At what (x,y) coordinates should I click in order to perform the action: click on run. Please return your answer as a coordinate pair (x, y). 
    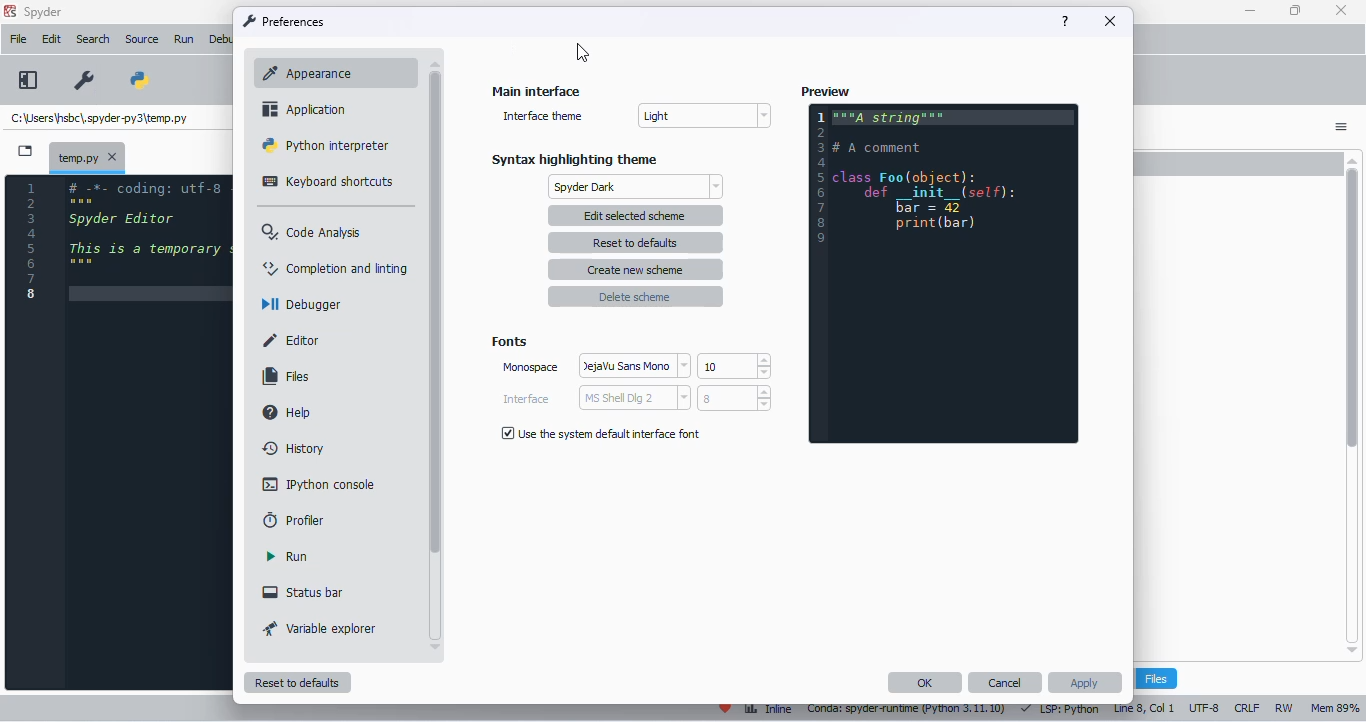
    Looking at the image, I should click on (184, 40).